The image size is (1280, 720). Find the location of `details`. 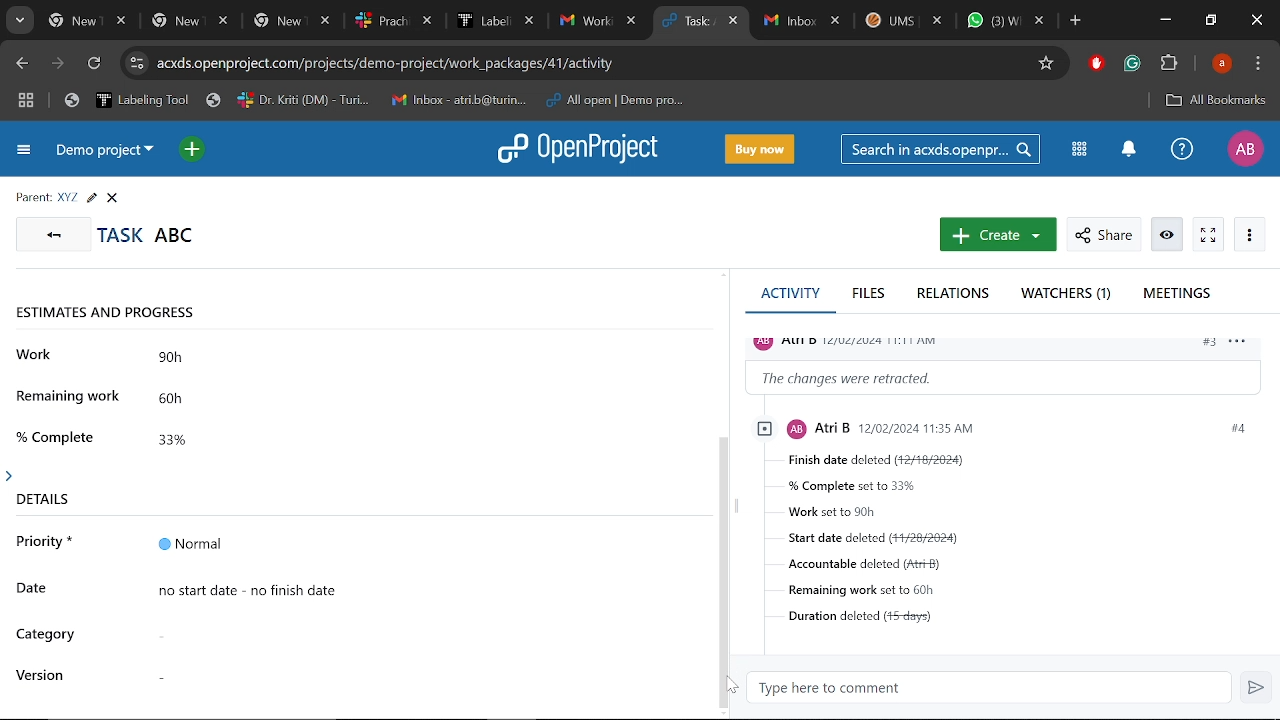

details is located at coordinates (39, 494).